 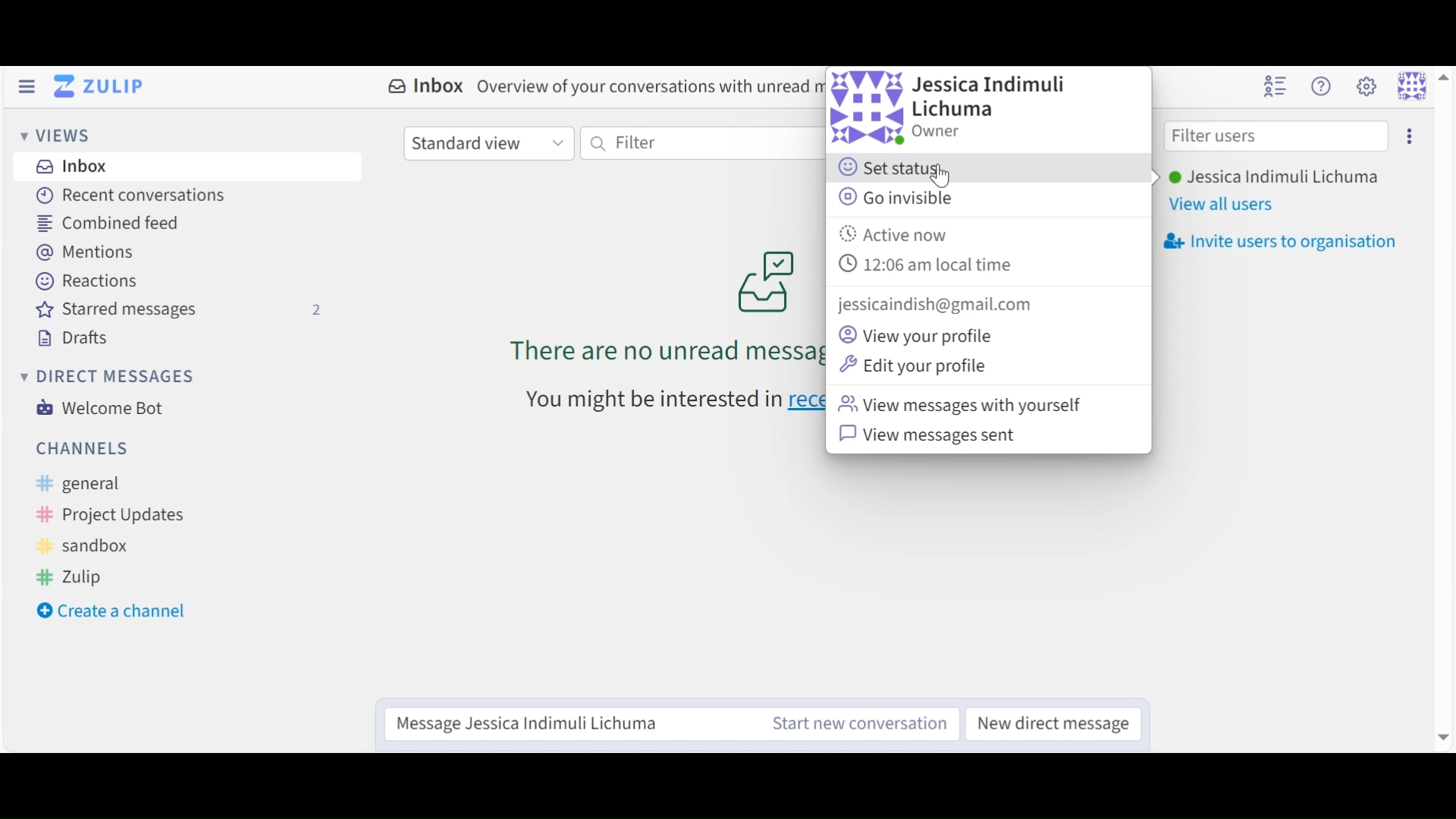 I want to click on zulip, so click(x=71, y=576).